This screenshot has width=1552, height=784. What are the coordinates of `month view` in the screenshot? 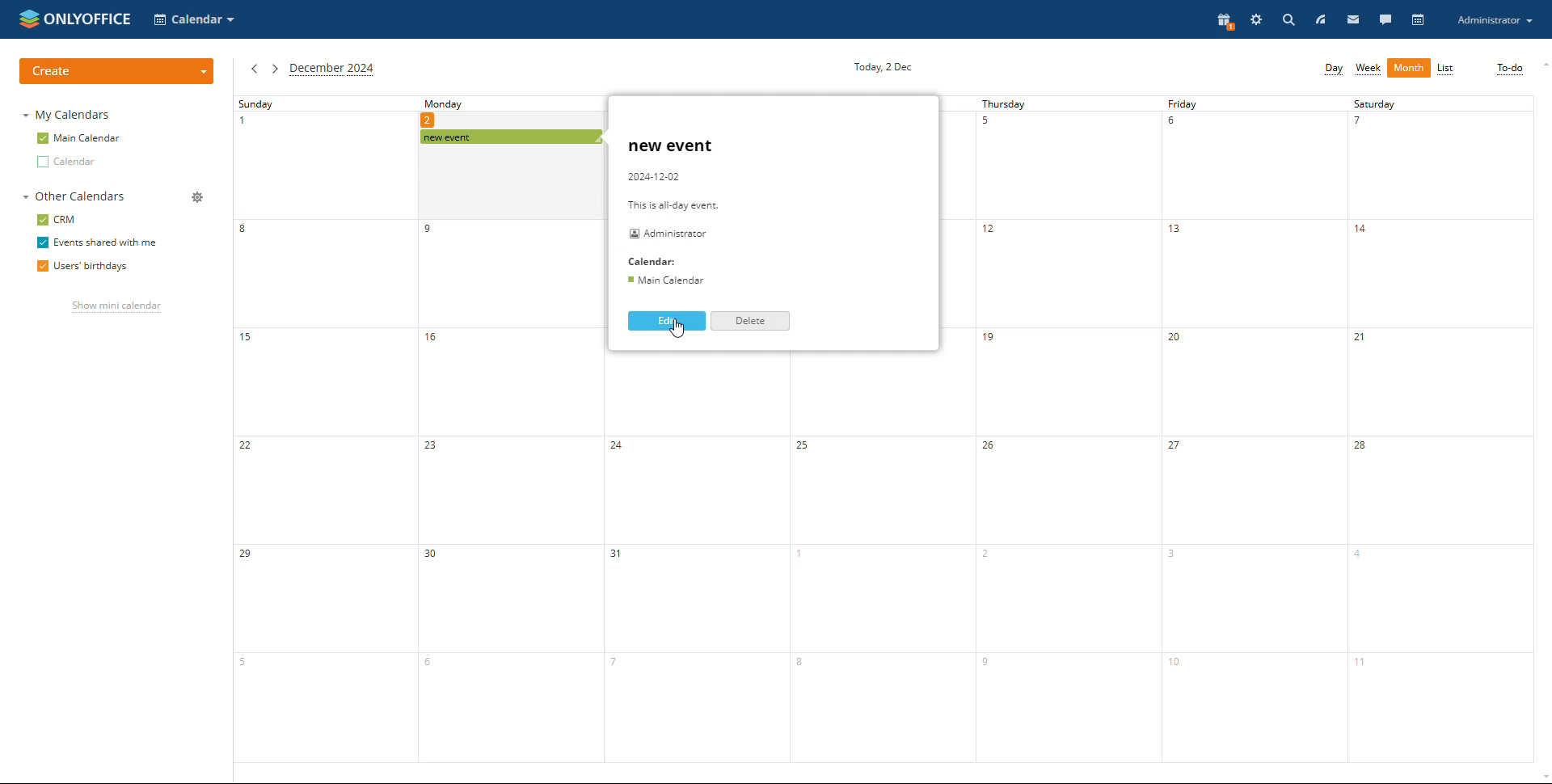 It's located at (1409, 69).